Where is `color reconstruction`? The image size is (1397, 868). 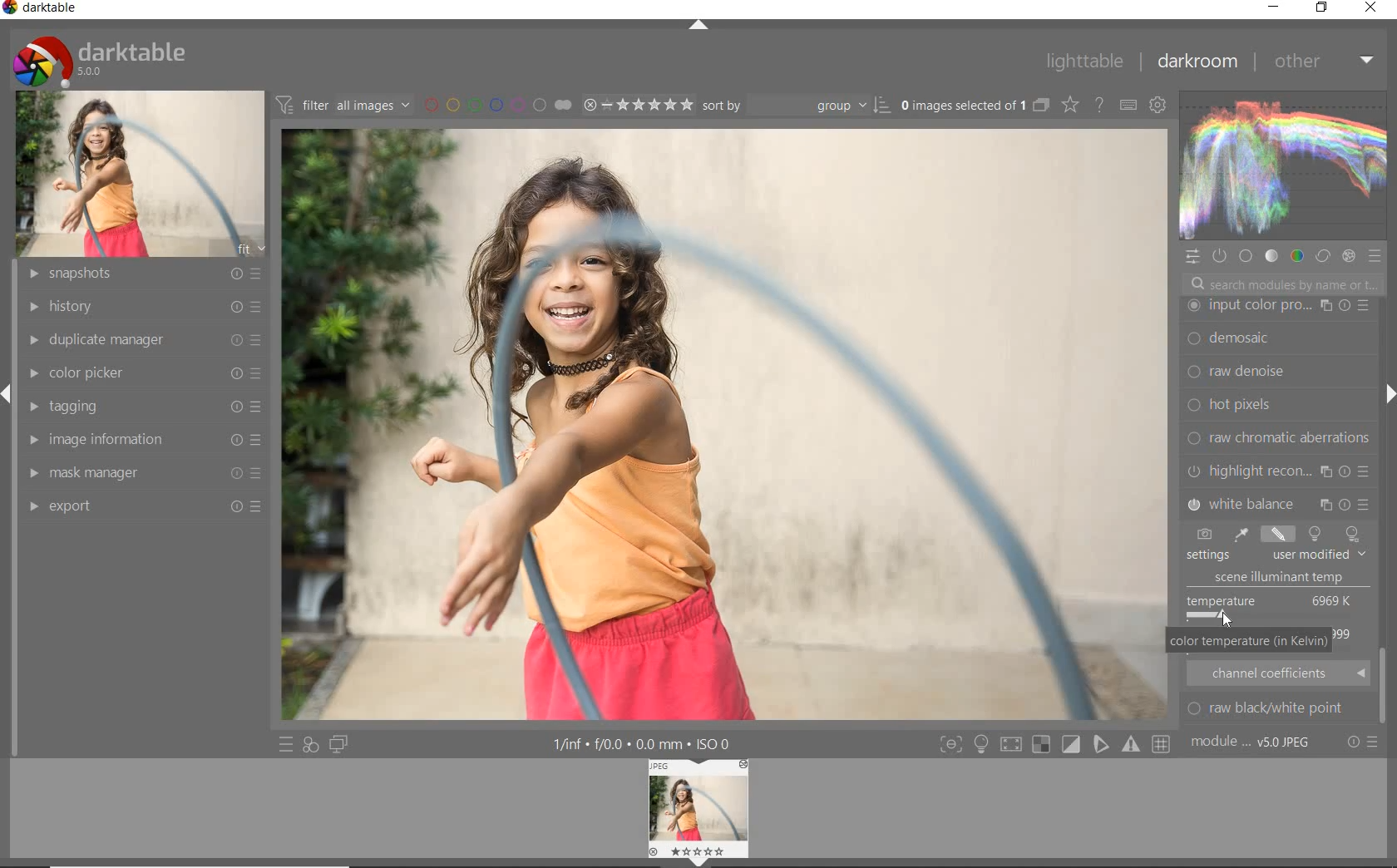
color reconstruction is located at coordinates (1281, 437).